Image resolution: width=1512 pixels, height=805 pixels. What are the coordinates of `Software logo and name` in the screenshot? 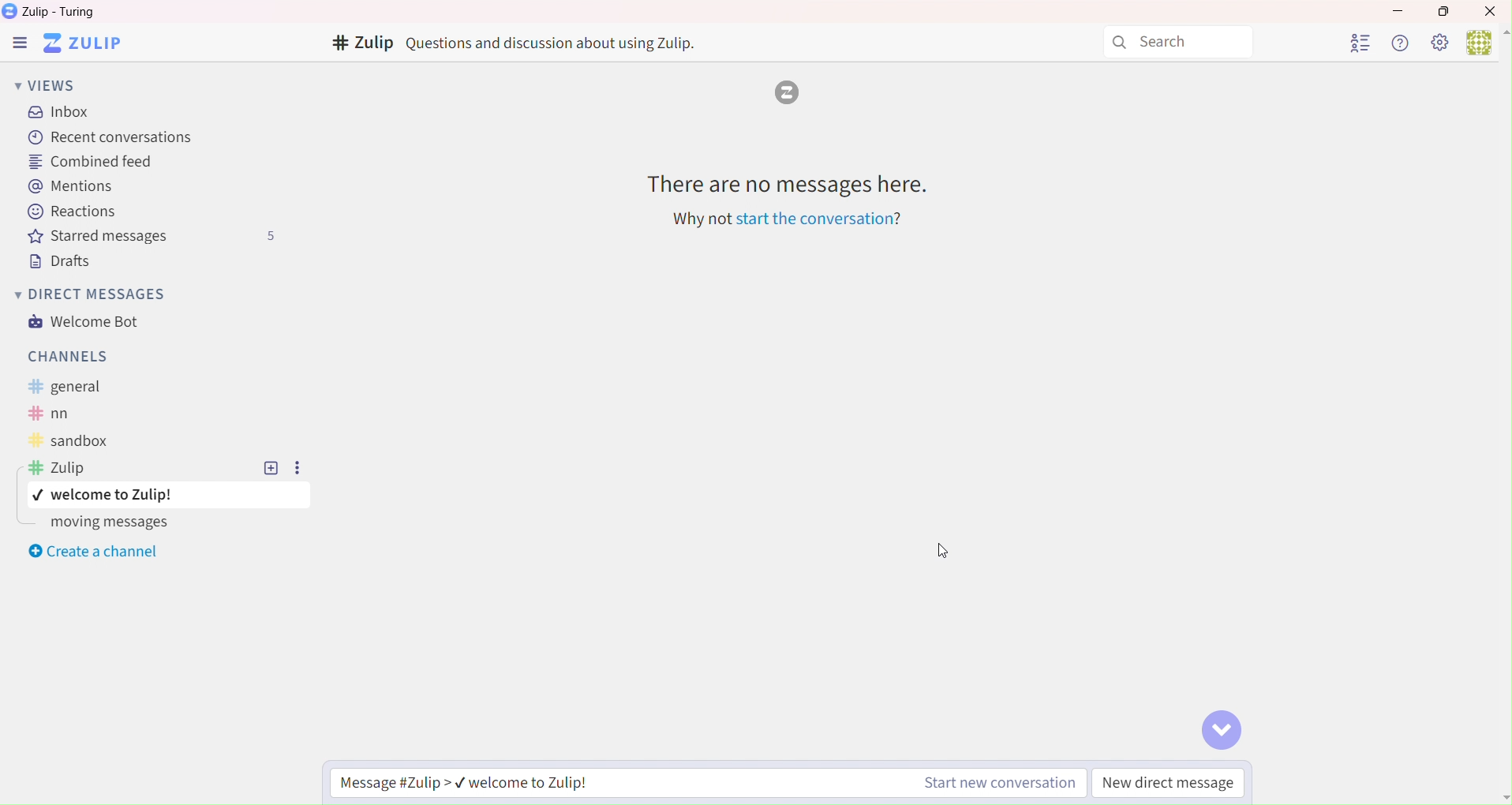 It's located at (83, 43).